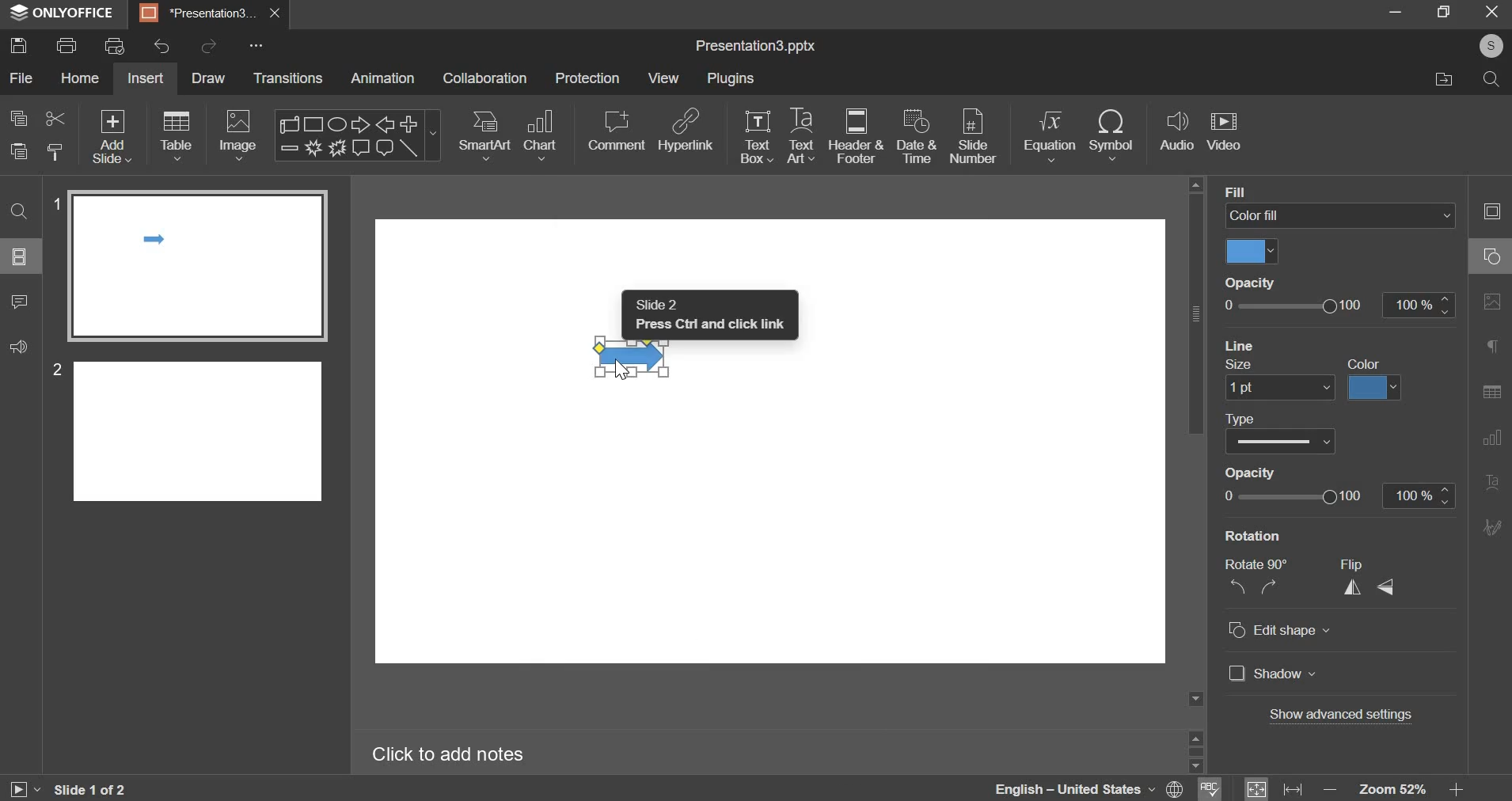 The image size is (1512, 801). What do you see at coordinates (1248, 473) in the screenshot?
I see `opacity` at bounding box center [1248, 473].